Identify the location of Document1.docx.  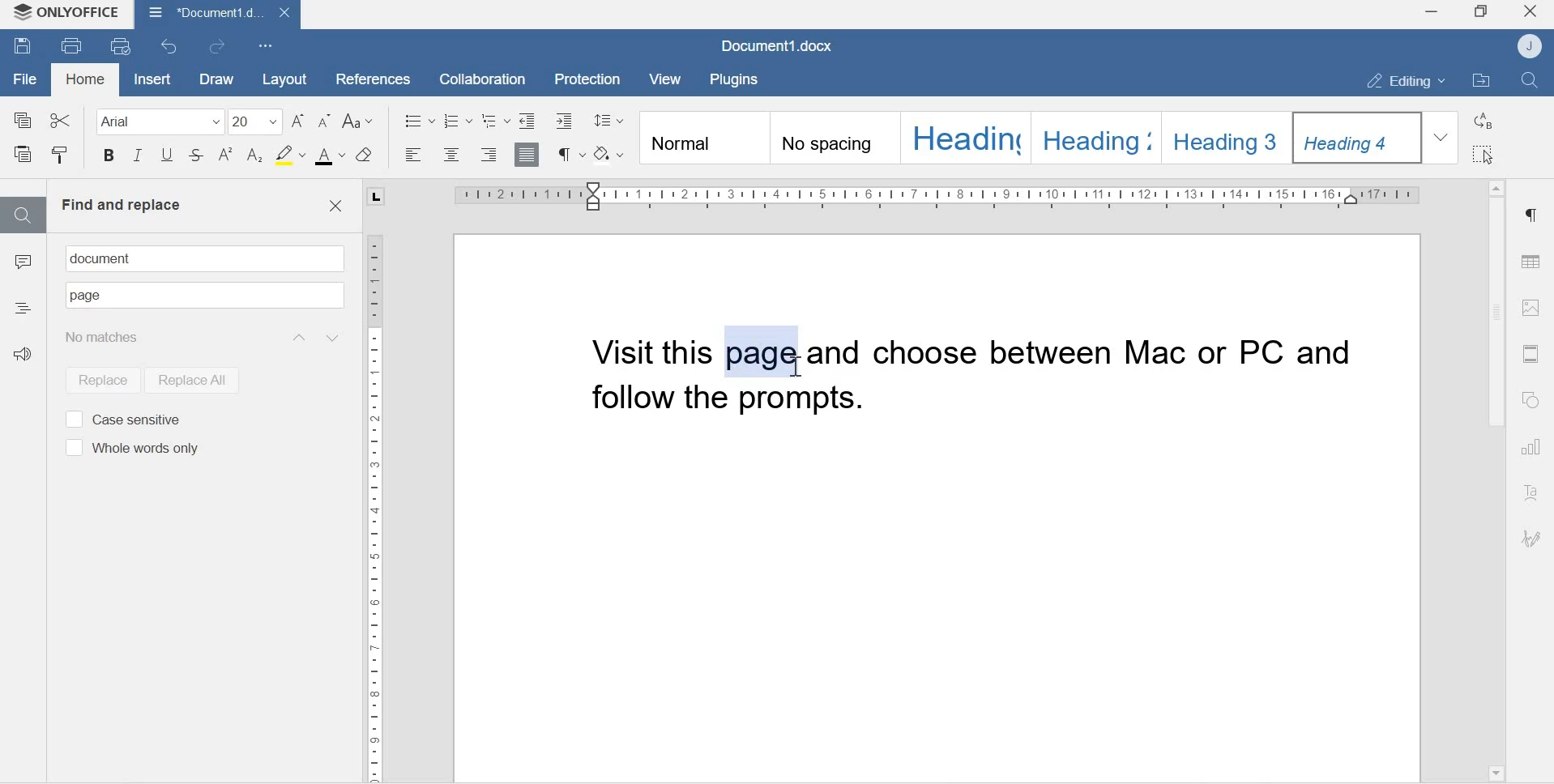
(216, 14).